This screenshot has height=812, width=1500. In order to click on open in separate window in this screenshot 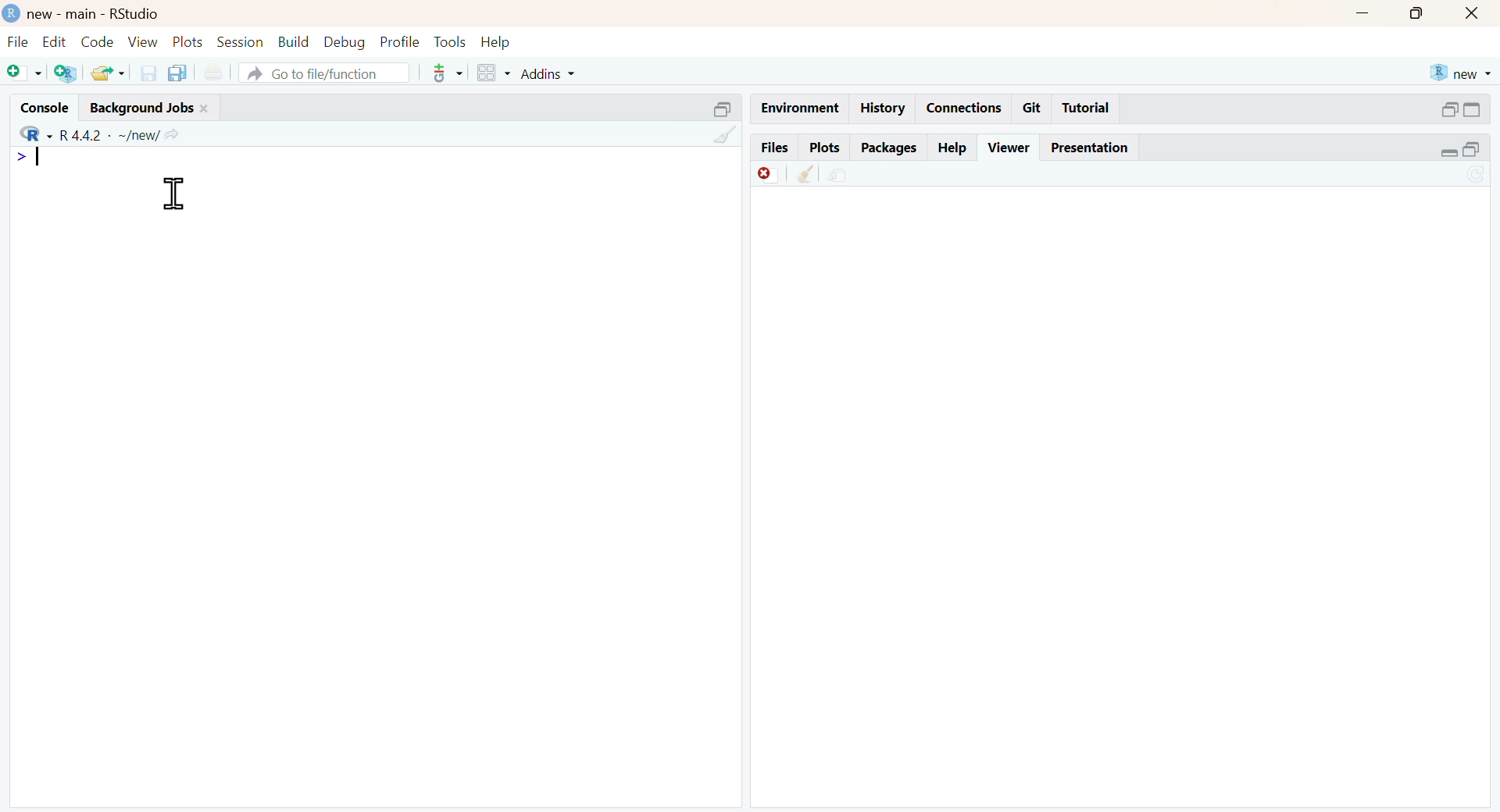, I will do `click(1472, 149)`.